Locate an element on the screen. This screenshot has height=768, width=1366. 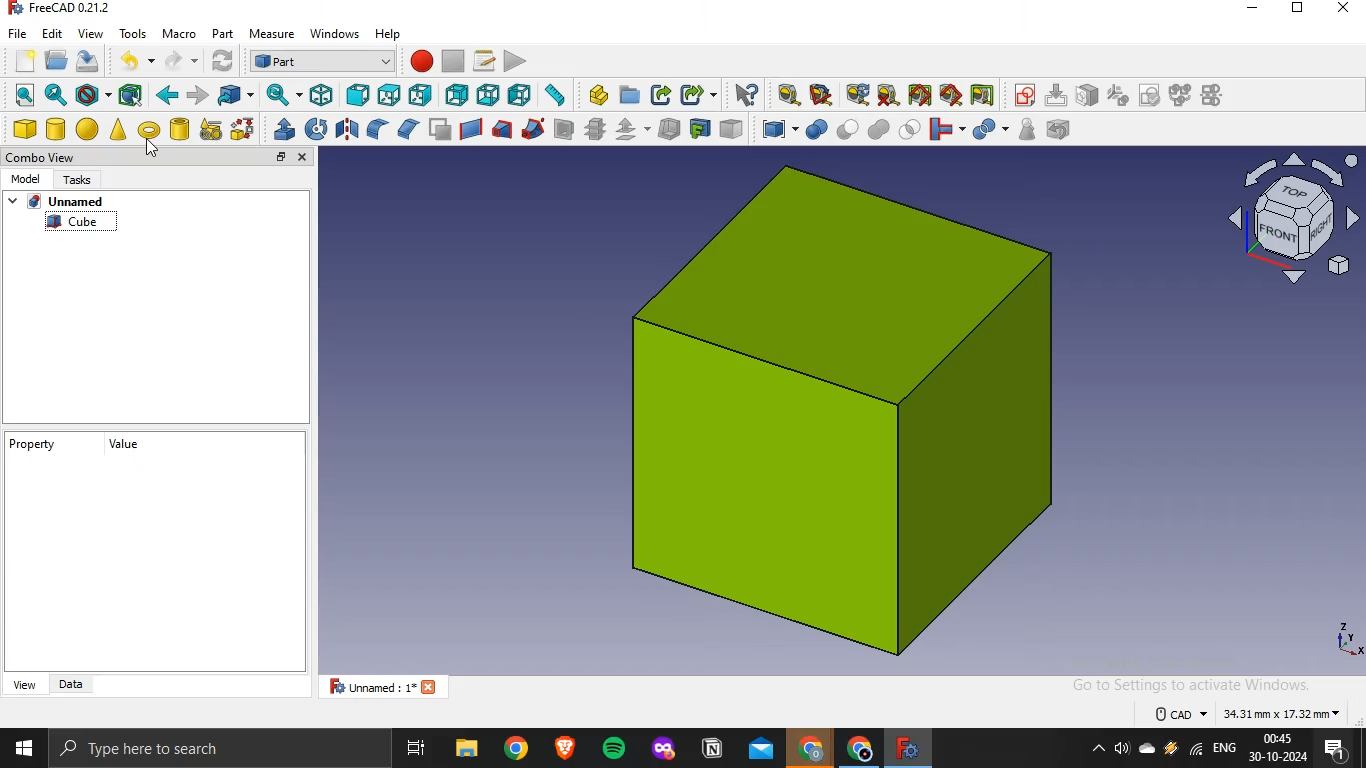
part is located at coordinates (223, 33).